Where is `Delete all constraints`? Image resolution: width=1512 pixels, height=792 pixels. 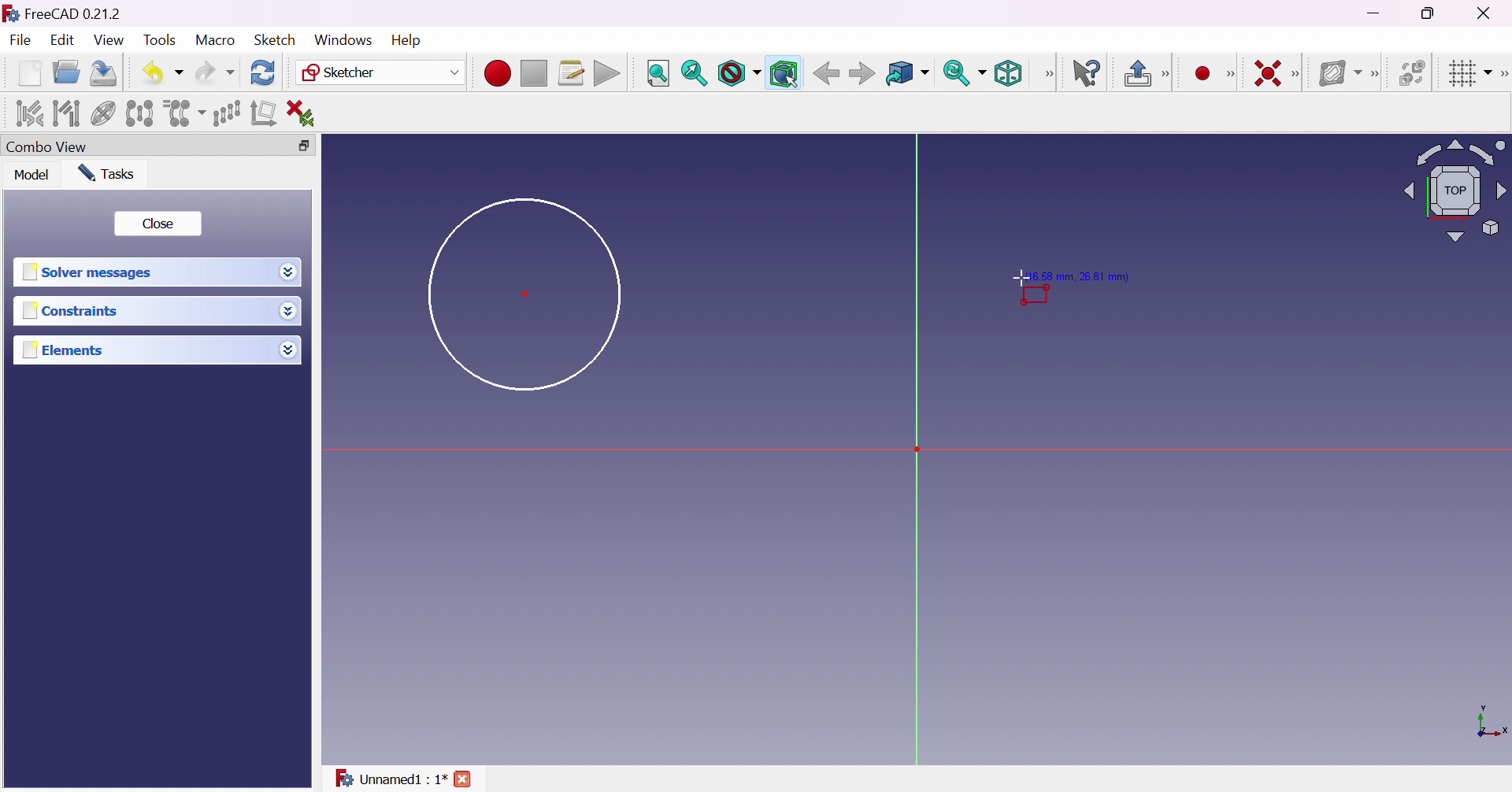
Delete all constraints is located at coordinates (306, 113).